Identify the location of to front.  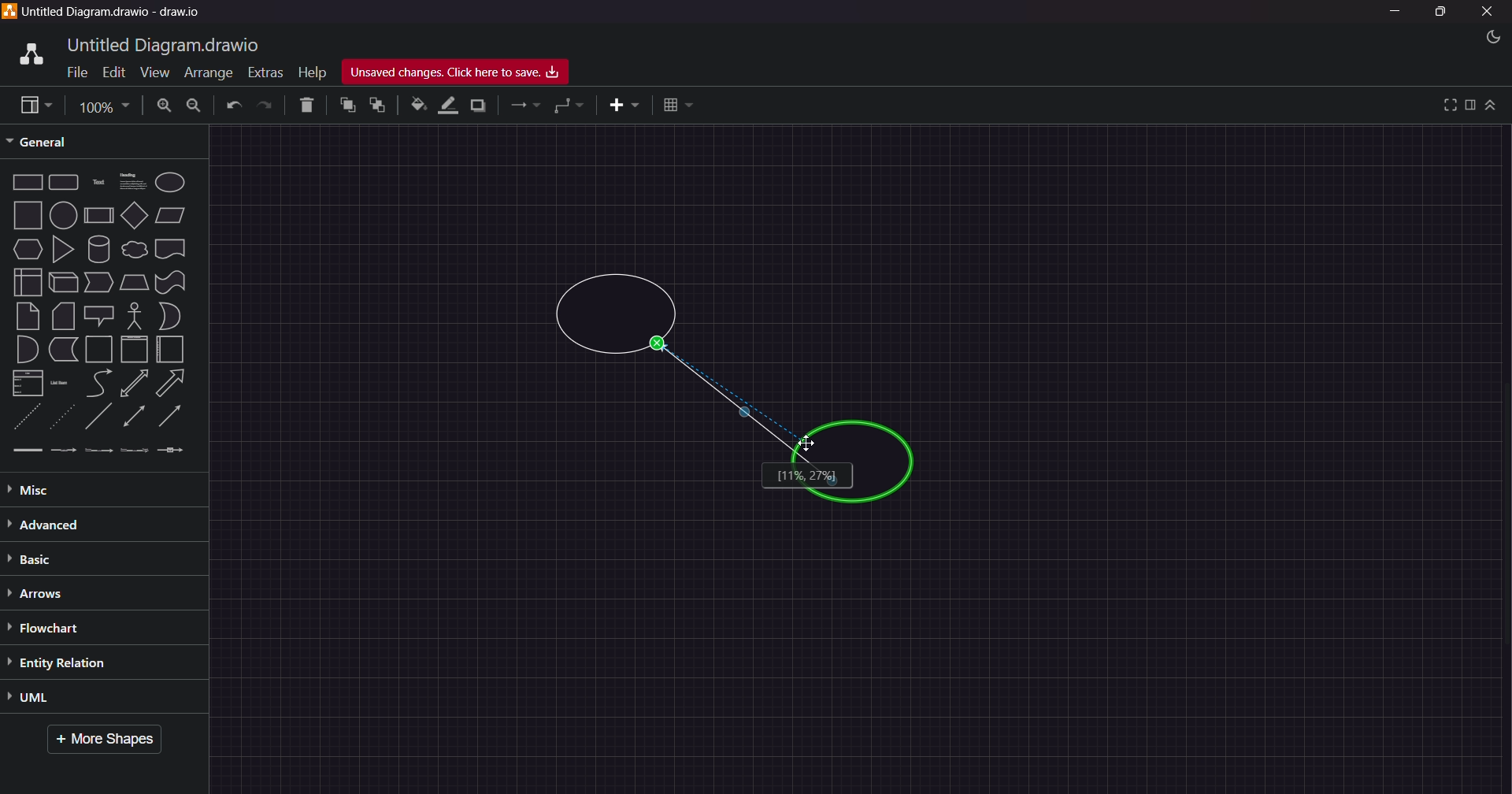
(346, 106).